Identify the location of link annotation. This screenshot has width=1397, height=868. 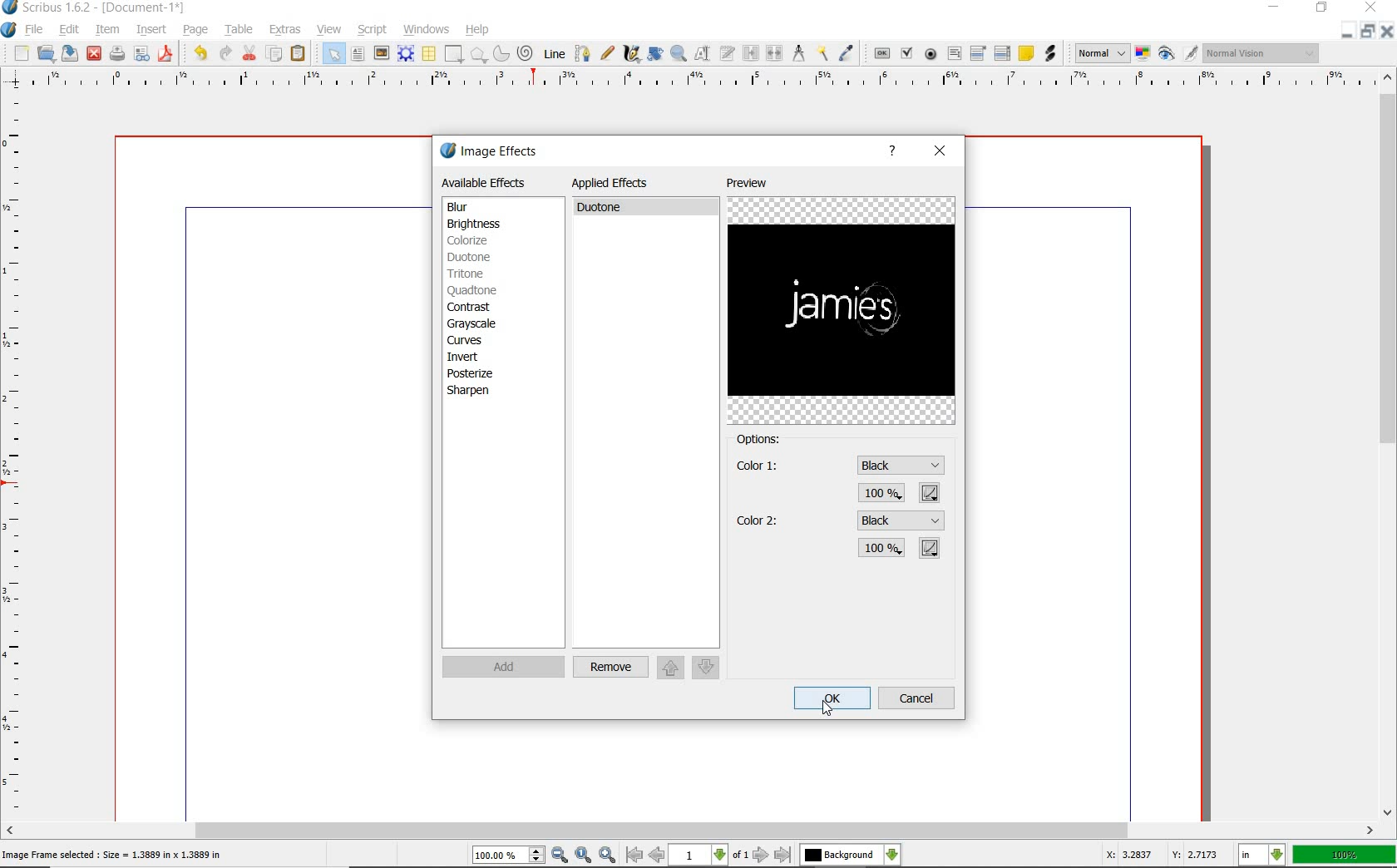
(1050, 52).